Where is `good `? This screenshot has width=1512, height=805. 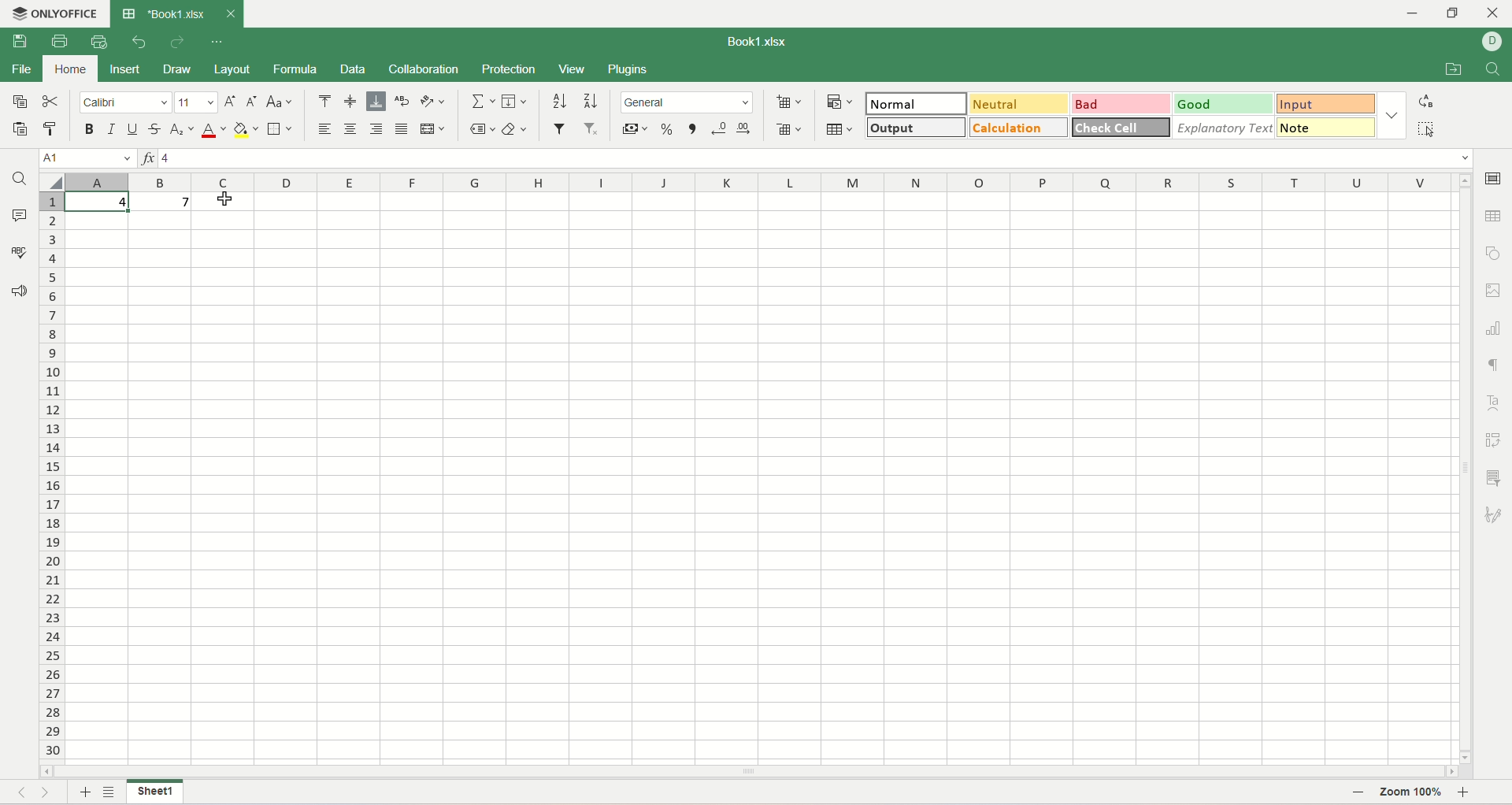
good  is located at coordinates (1225, 104).